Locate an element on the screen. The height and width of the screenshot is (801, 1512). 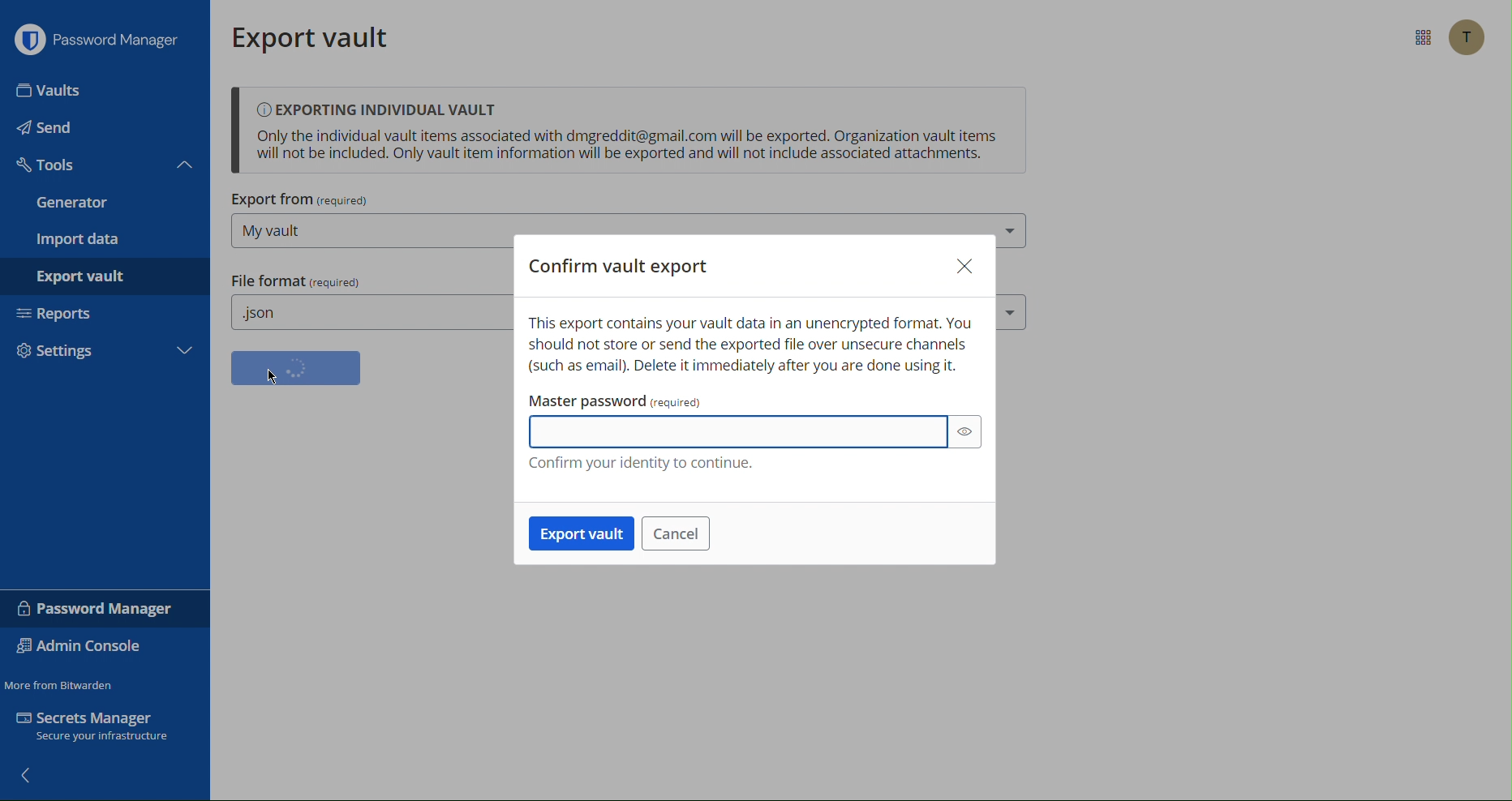
Export is located at coordinates (85, 275).